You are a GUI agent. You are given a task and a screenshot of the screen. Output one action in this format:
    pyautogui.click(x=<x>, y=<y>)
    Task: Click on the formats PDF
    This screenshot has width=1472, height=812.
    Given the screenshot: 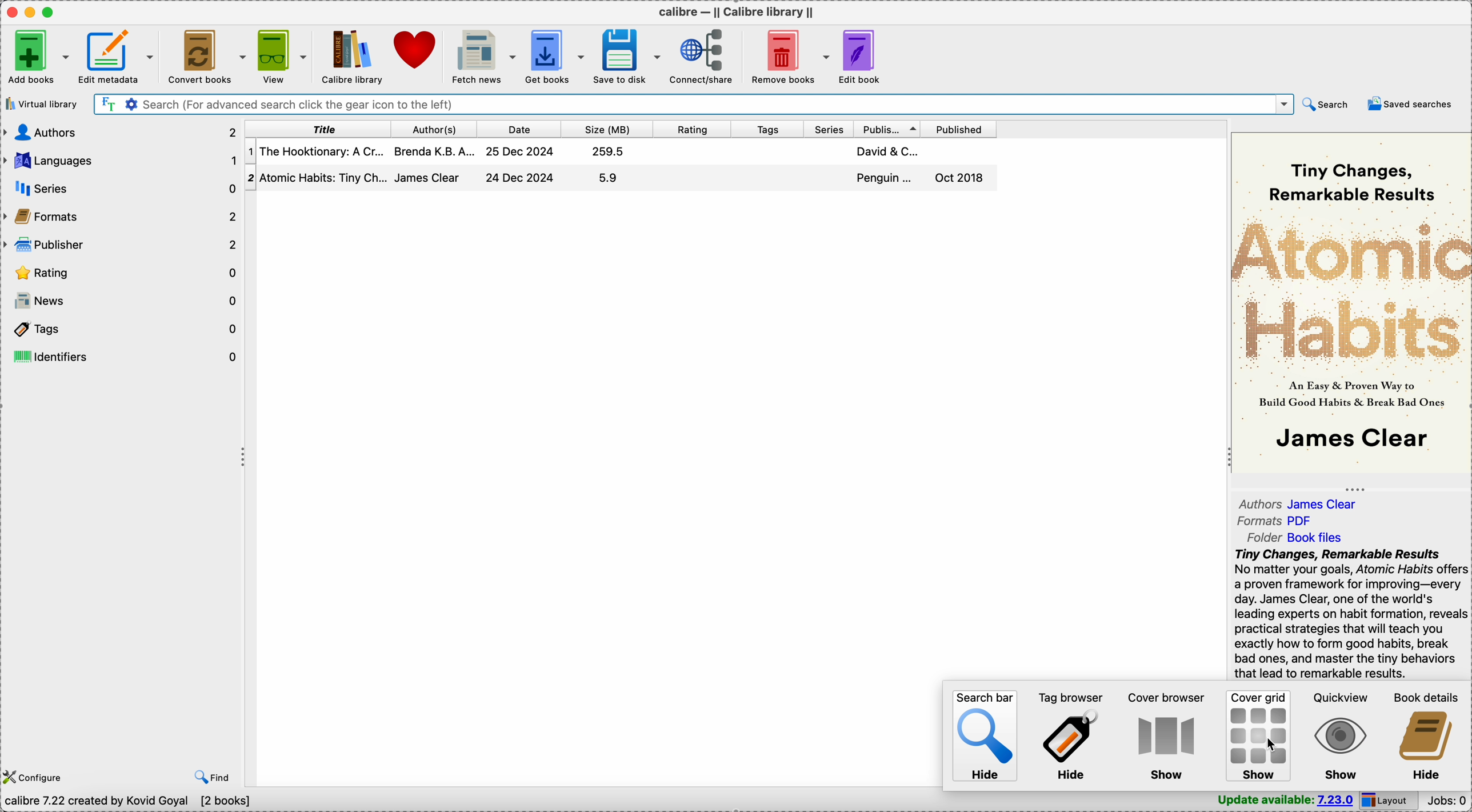 What is the action you would take?
    pyautogui.click(x=1277, y=519)
    